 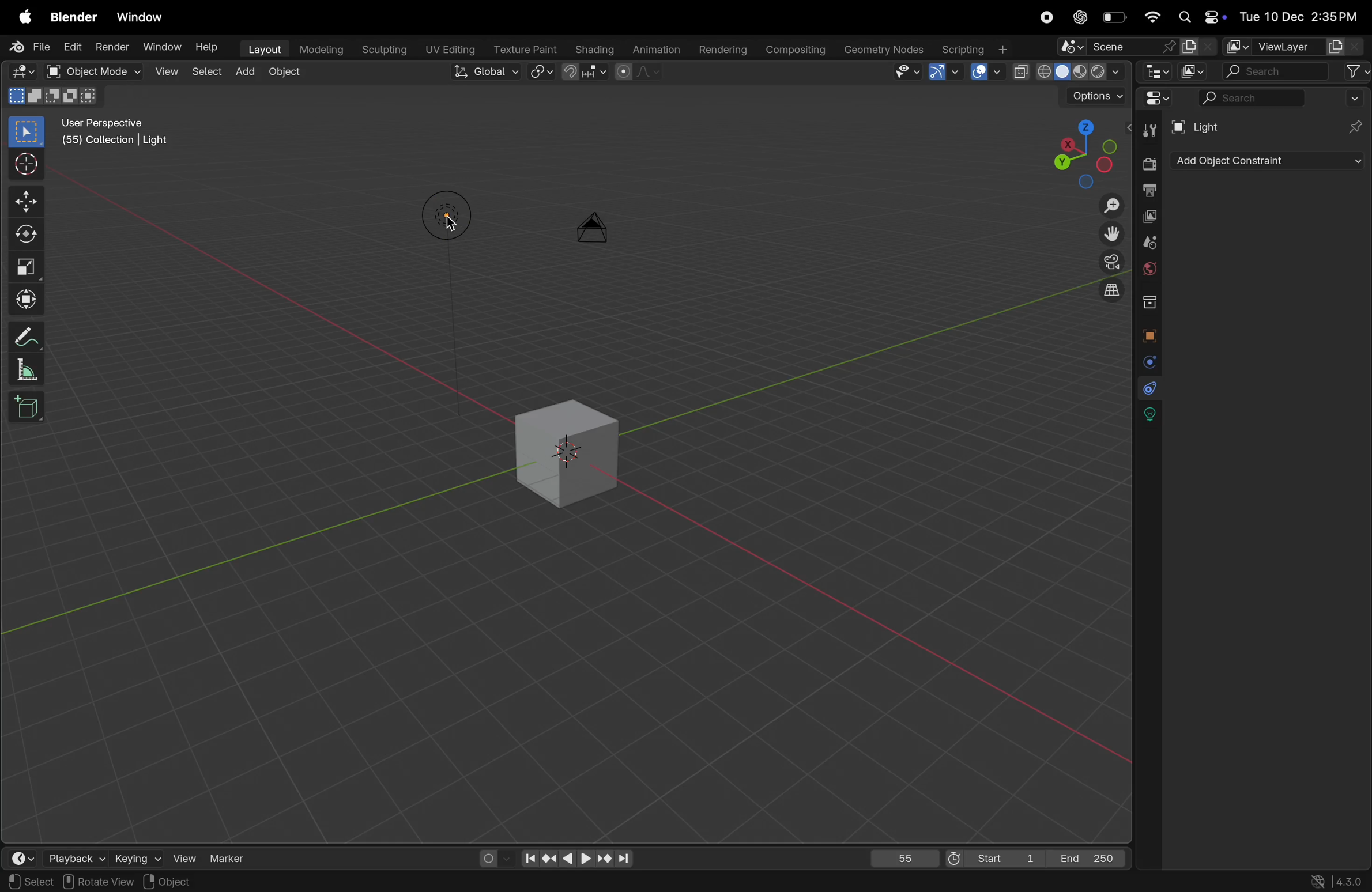 I want to click on Uv editing, so click(x=447, y=48).